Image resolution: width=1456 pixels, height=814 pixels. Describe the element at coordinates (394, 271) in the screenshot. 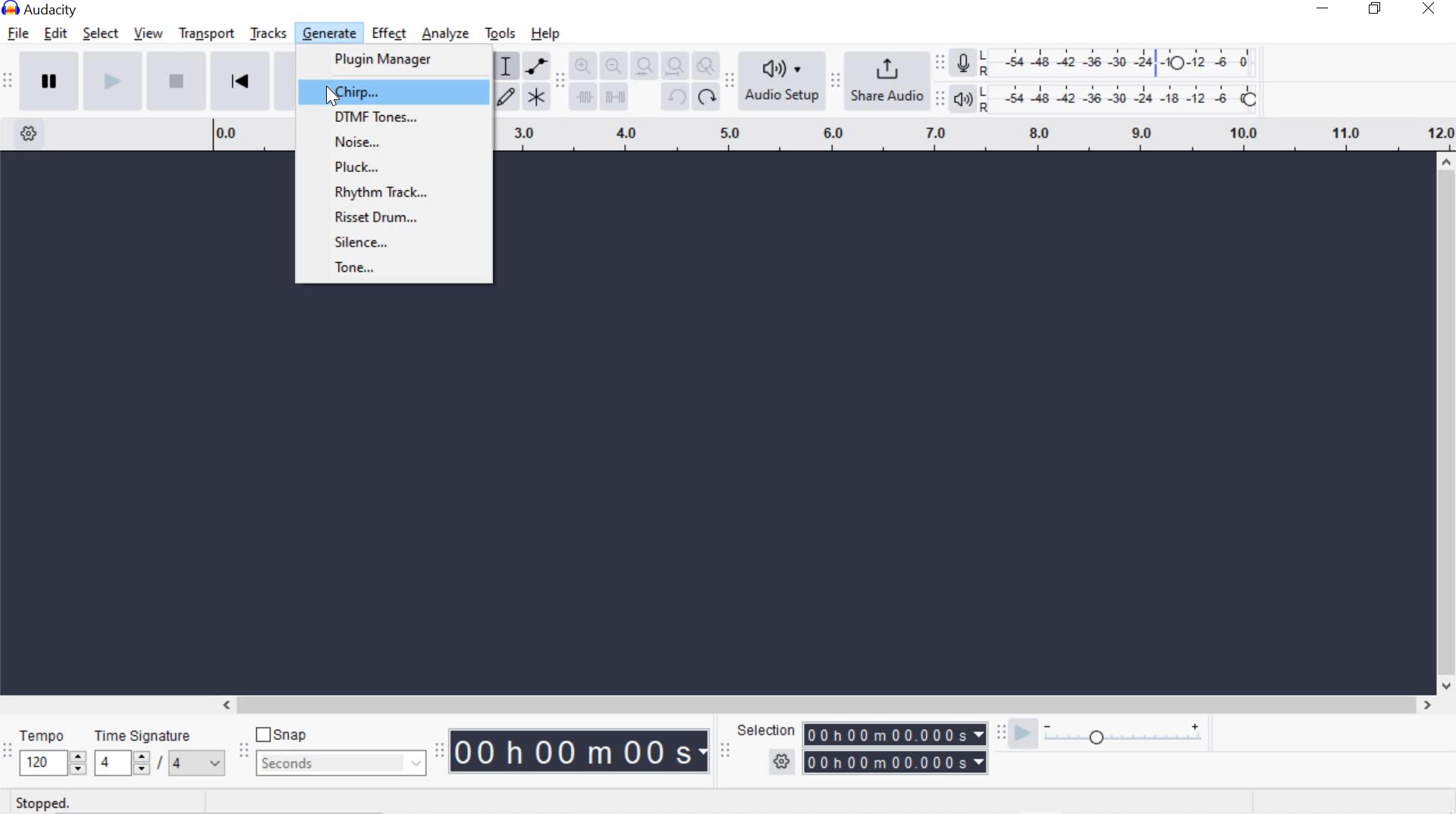

I see `tone` at that location.